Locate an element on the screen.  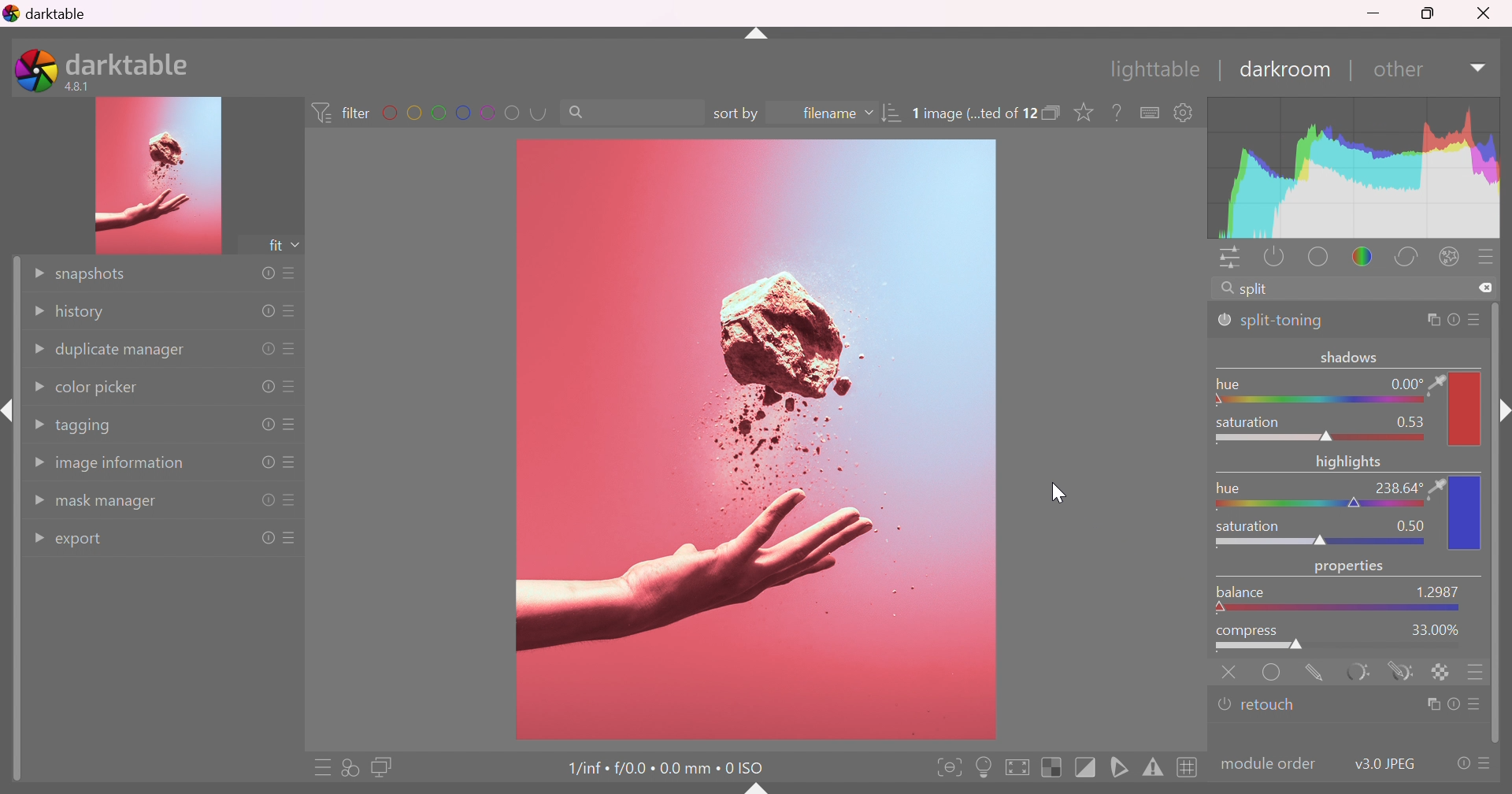
color is located at coordinates (1466, 408).